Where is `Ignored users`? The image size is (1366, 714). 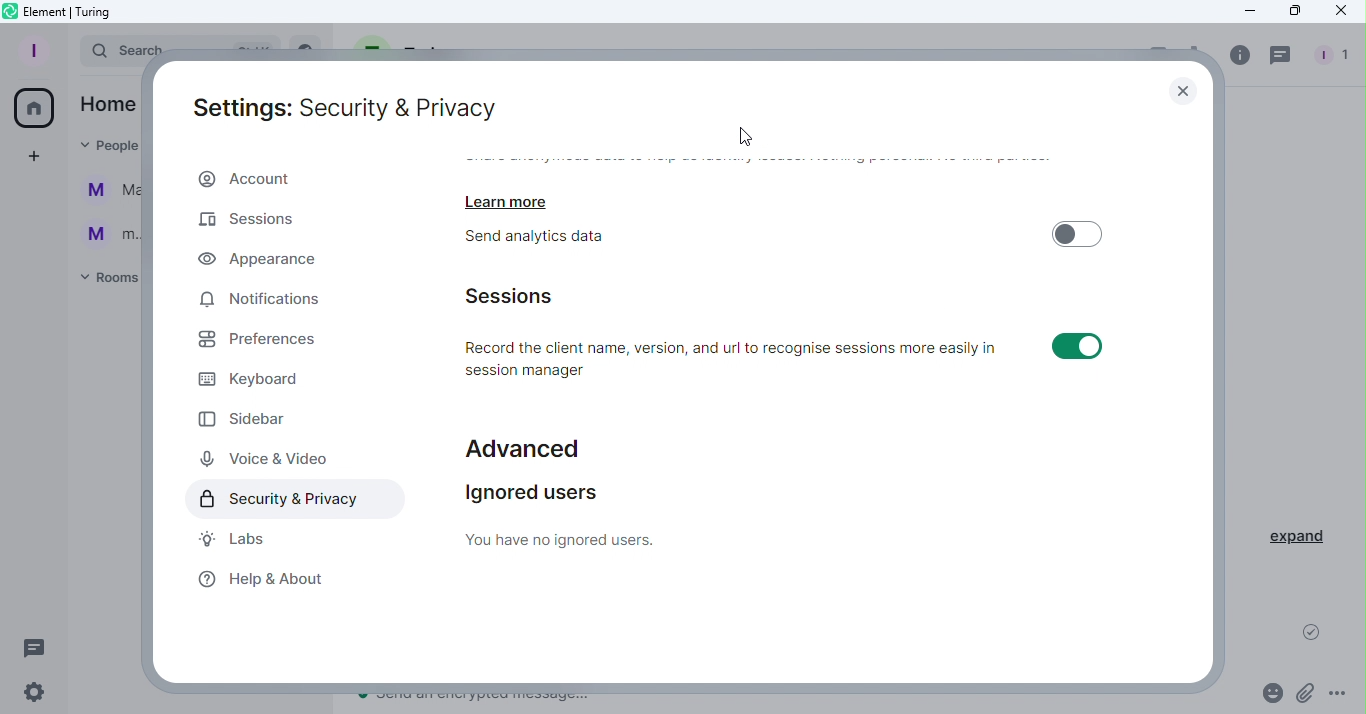
Ignored users is located at coordinates (572, 514).